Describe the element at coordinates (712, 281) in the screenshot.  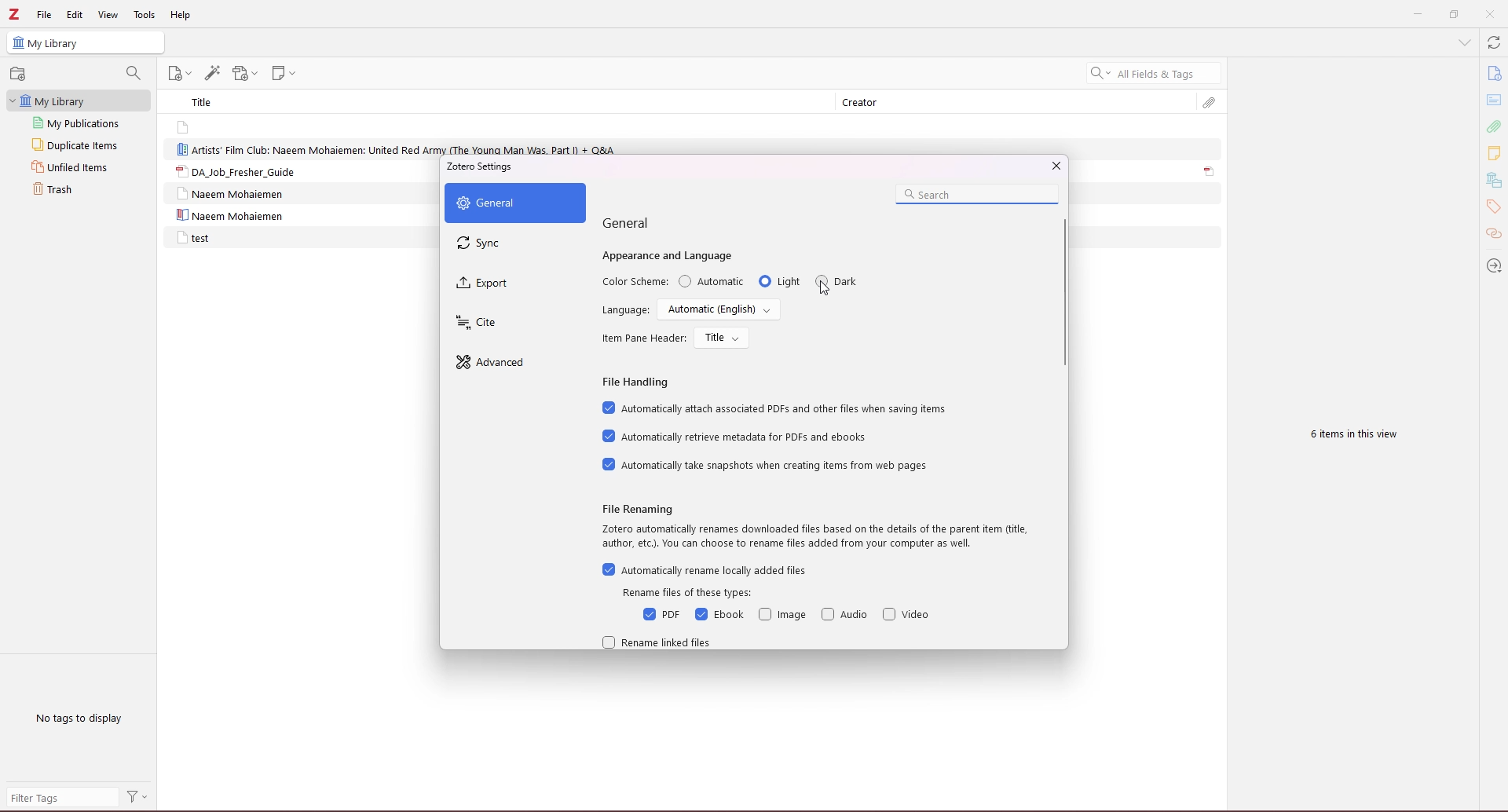
I see `automatic` at that location.